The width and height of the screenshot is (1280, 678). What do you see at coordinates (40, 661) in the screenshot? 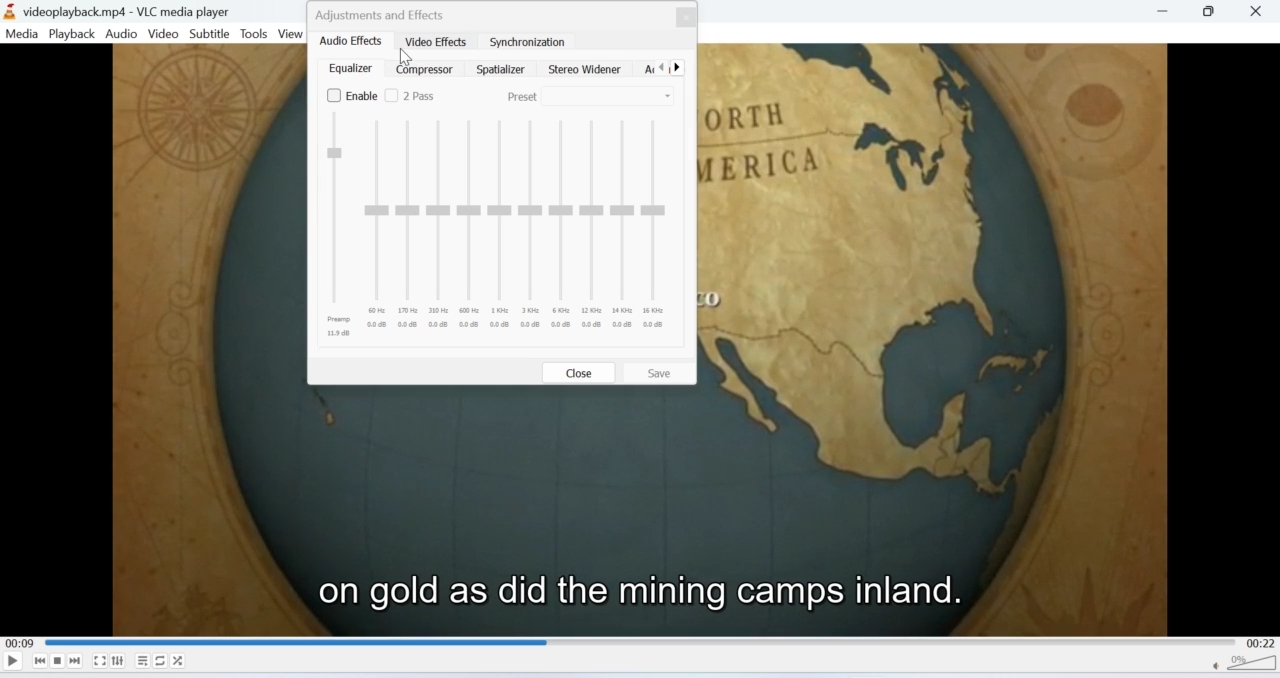
I see `Seek backwards` at bounding box center [40, 661].